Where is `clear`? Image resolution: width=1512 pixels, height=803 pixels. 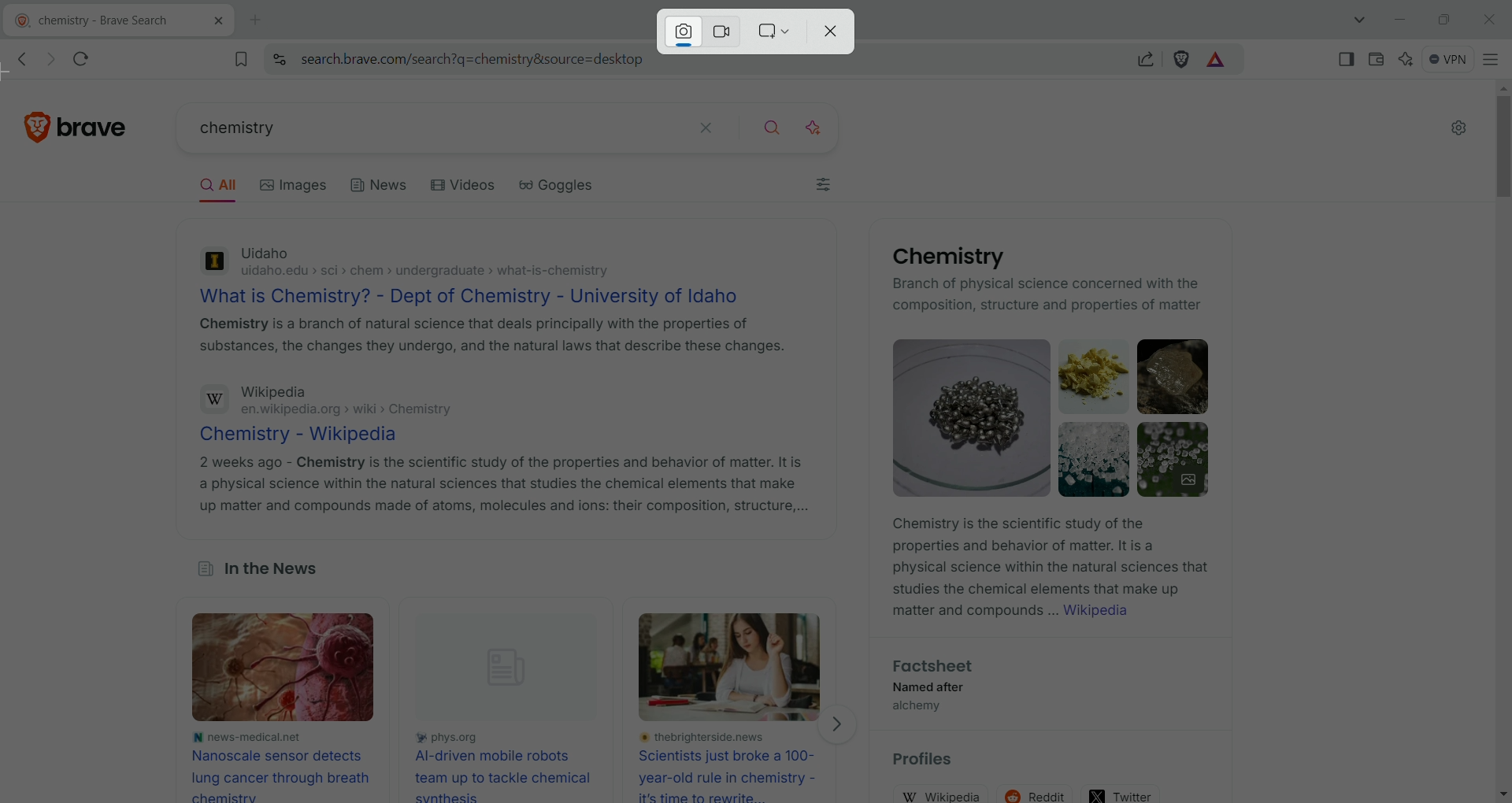 clear is located at coordinates (707, 126).